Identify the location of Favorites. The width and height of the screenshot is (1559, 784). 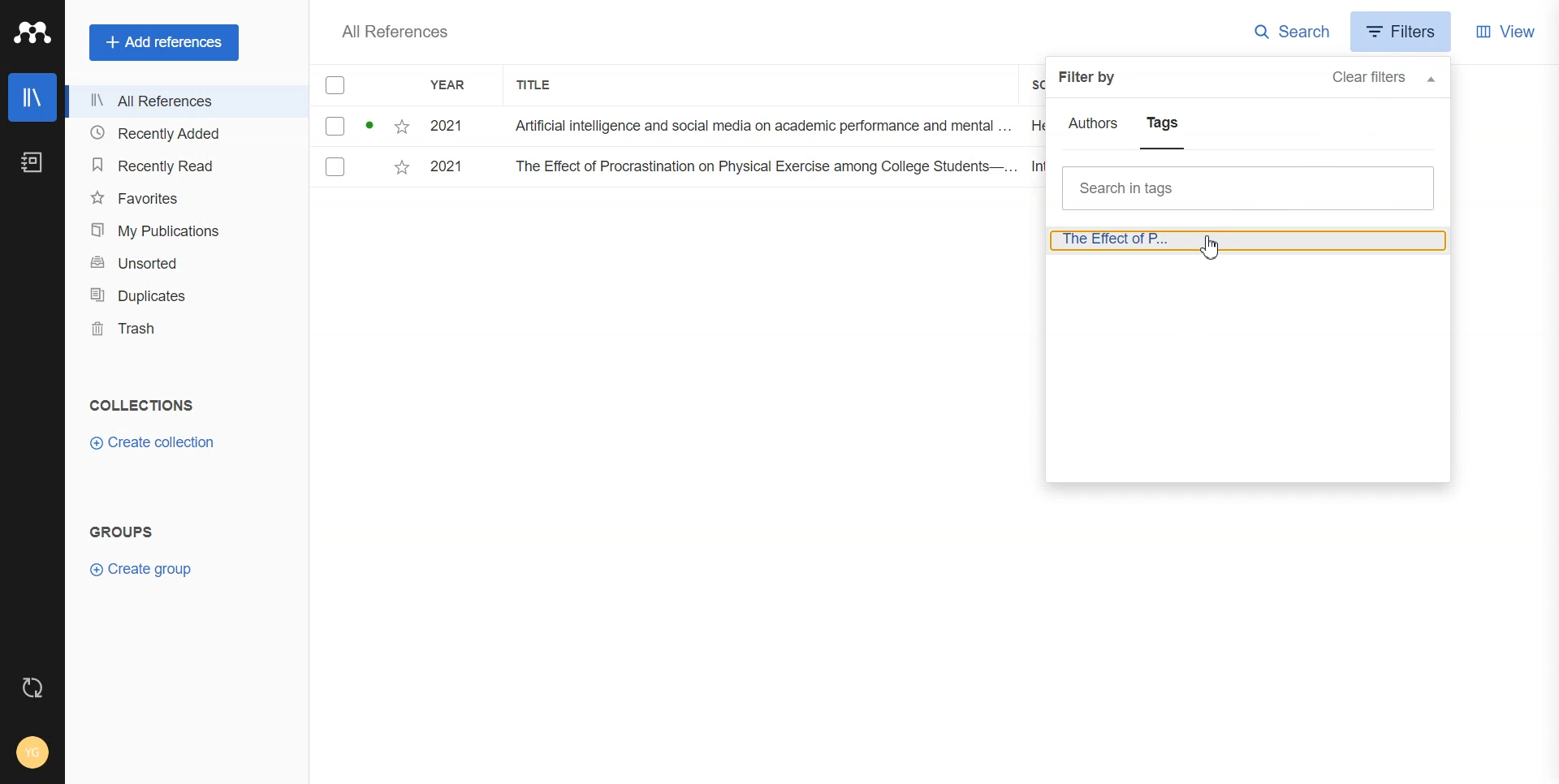
(176, 200).